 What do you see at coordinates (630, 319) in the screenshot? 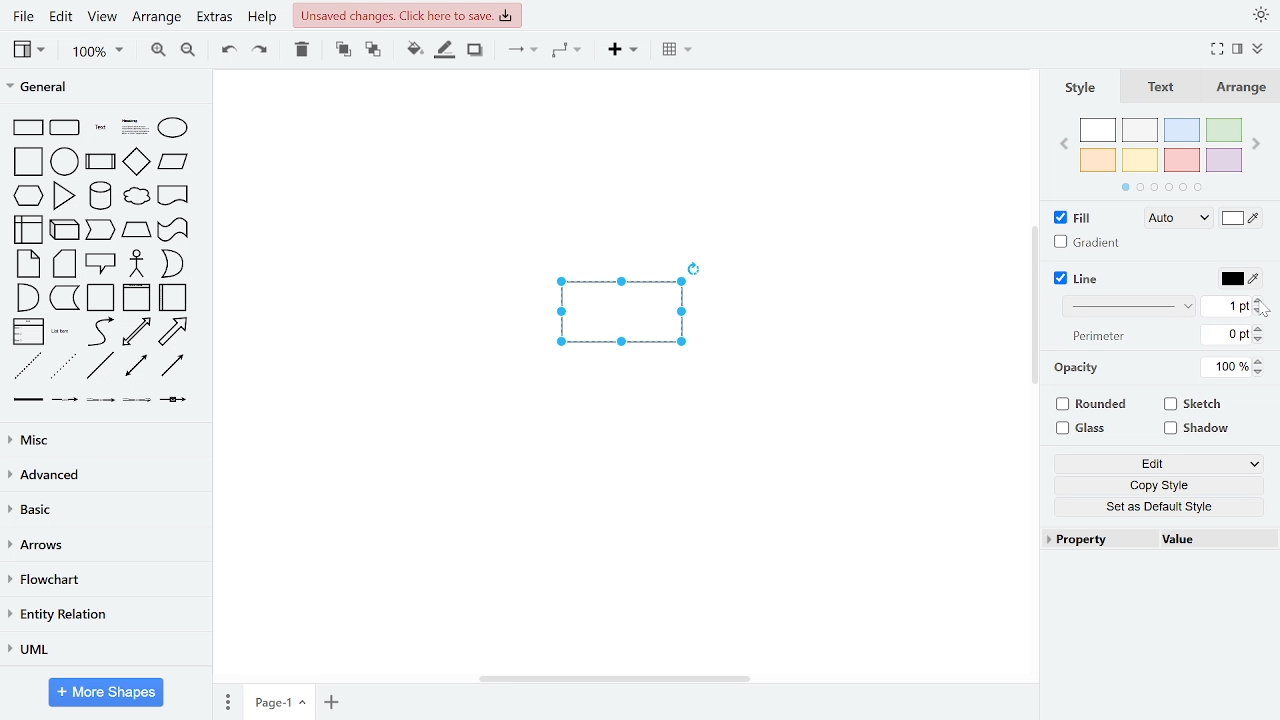
I see `Current diagram` at bounding box center [630, 319].